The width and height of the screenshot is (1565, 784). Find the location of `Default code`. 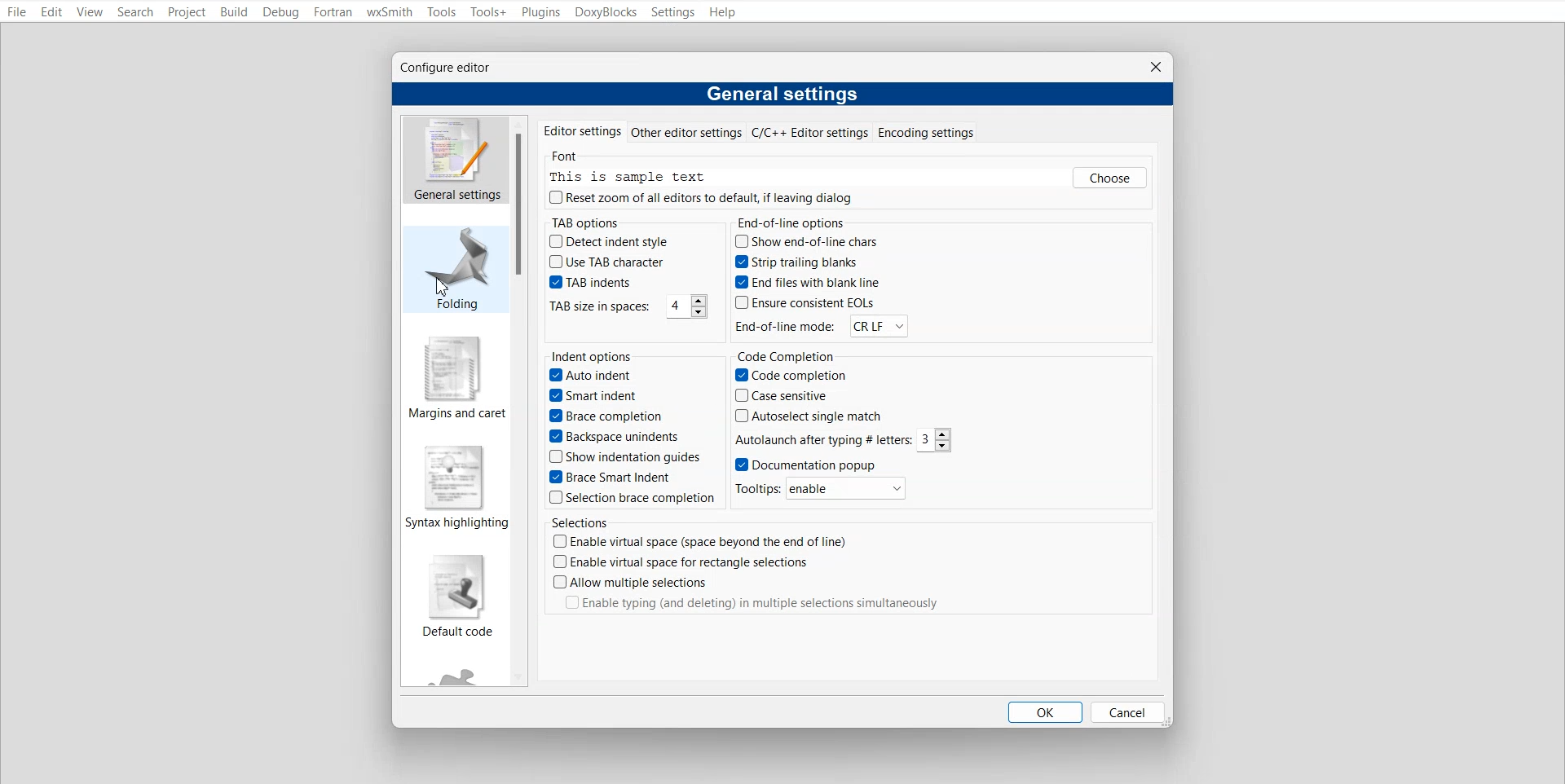

Default code is located at coordinates (457, 597).